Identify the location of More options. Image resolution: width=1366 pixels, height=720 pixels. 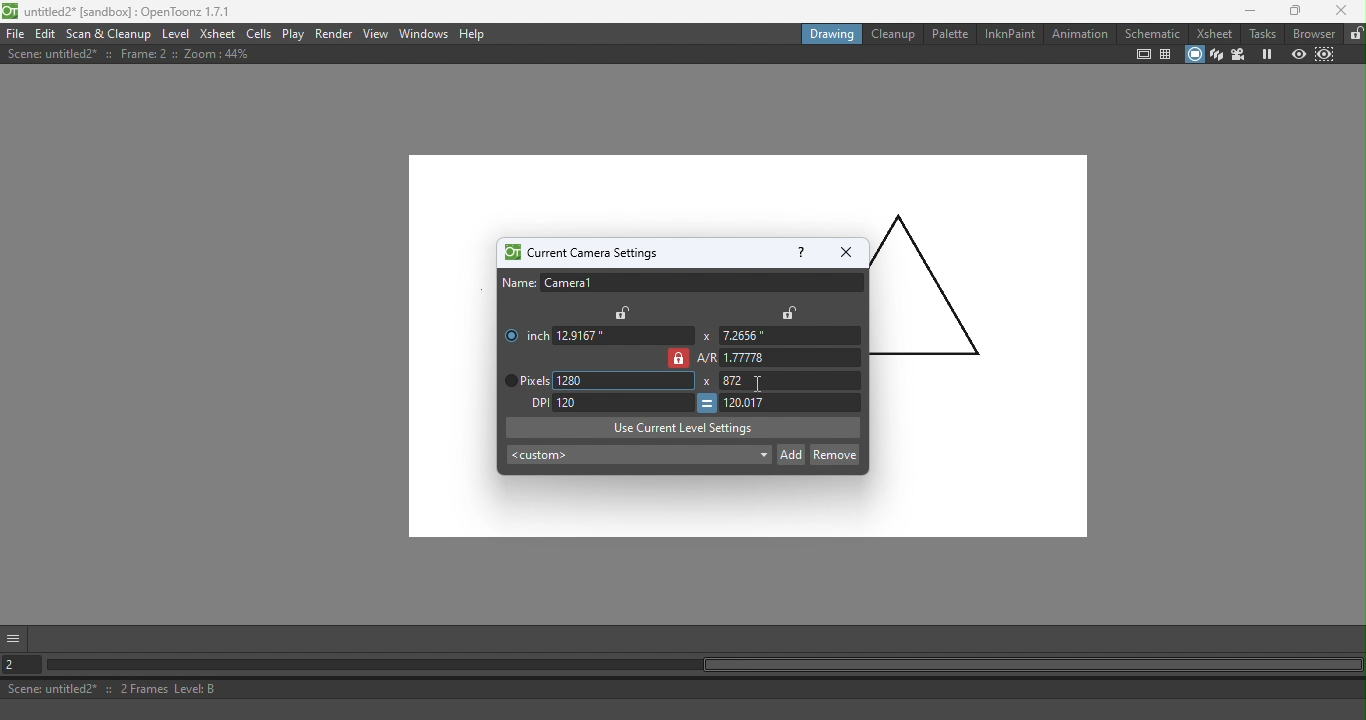
(16, 637).